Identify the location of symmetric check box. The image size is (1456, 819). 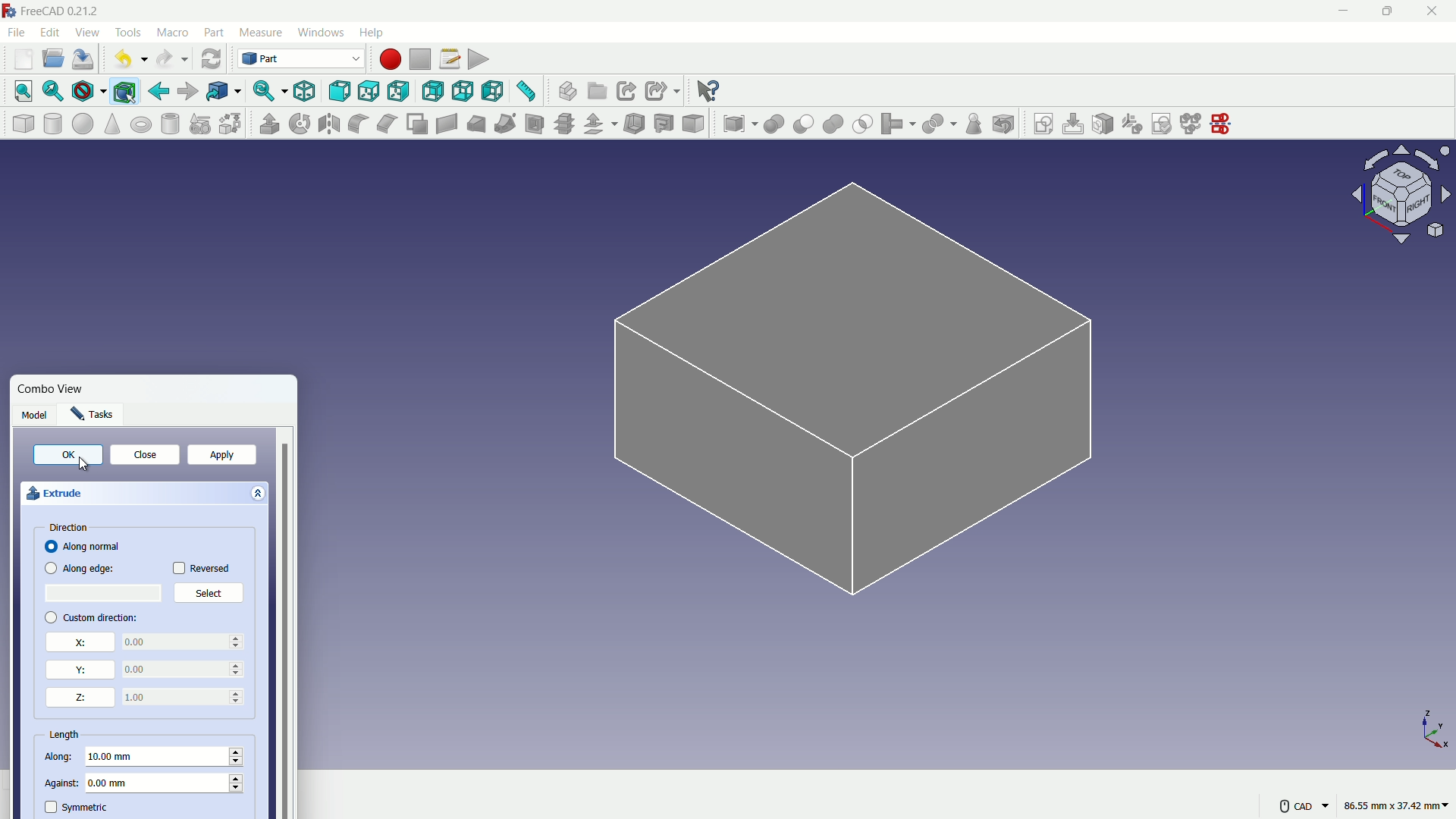
(61, 806).